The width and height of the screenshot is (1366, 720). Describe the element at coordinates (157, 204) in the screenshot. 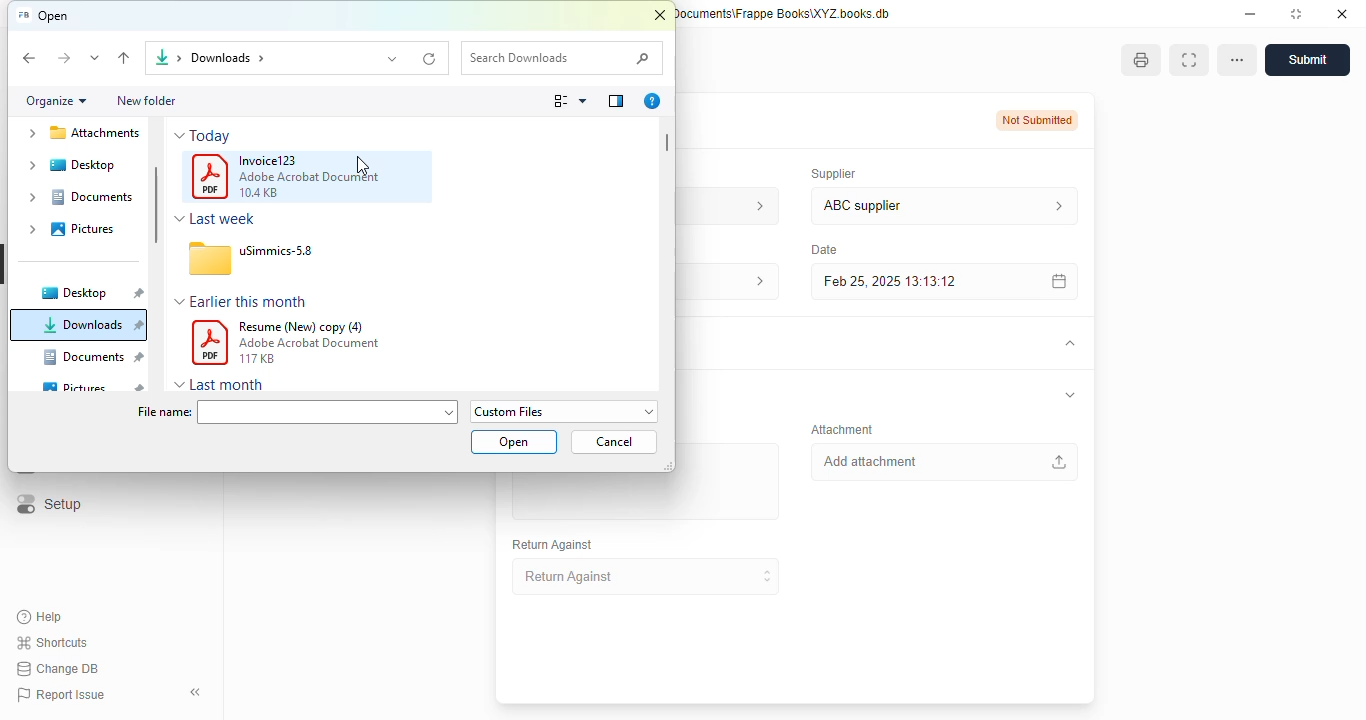

I see `scroll bar` at that location.